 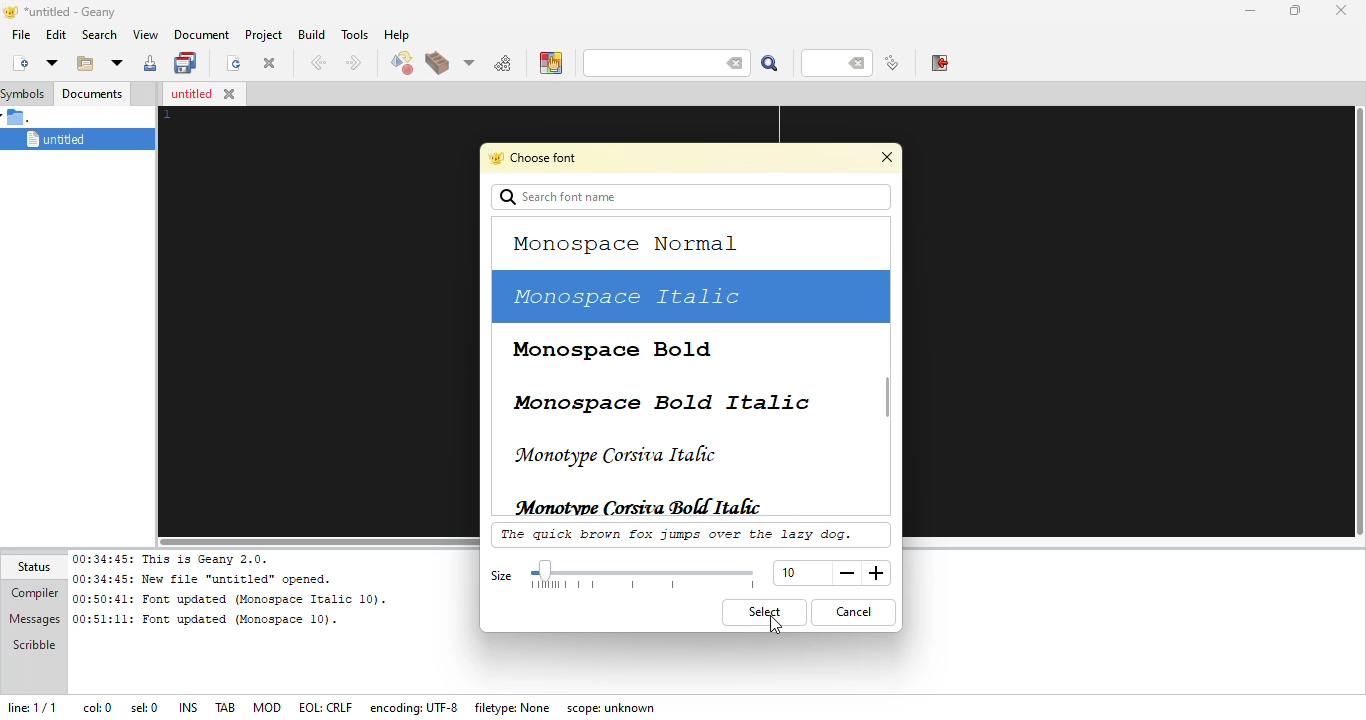 What do you see at coordinates (859, 64) in the screenshot?
I see `back space` at bounding box center [859, 64].